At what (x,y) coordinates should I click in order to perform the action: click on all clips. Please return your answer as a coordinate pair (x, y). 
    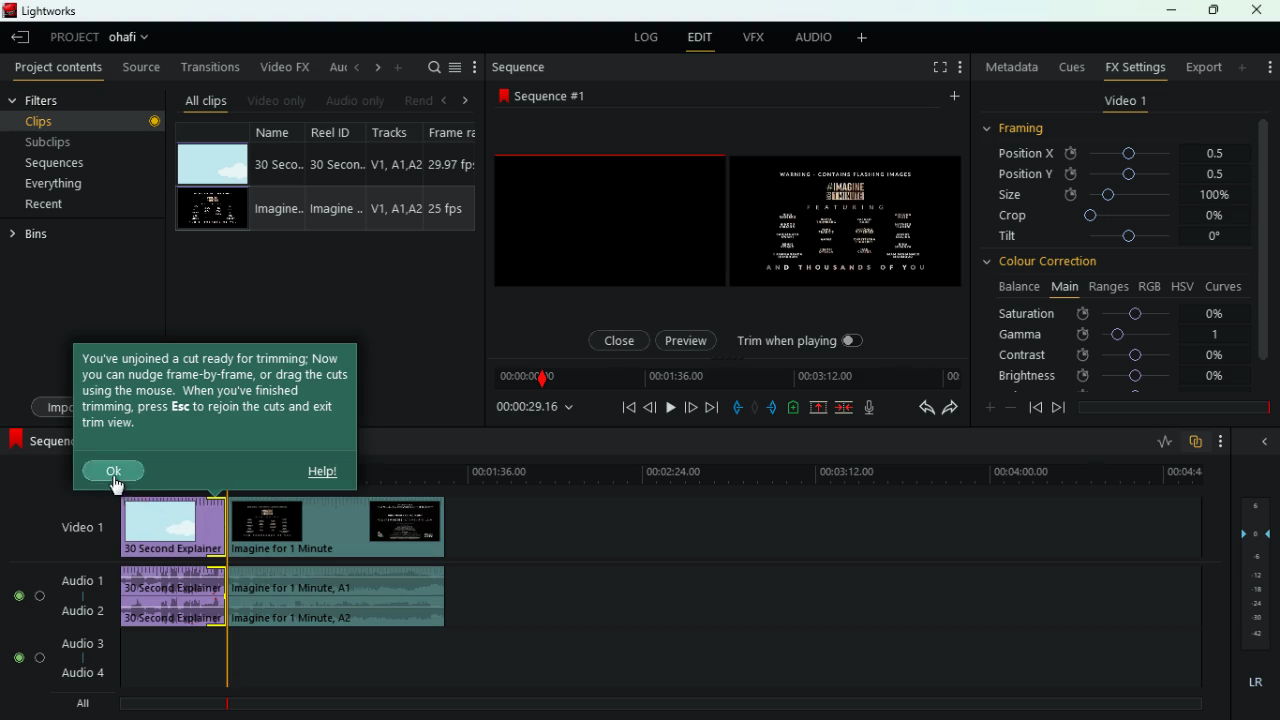
    Looking at the image, I should click on (206, 100).